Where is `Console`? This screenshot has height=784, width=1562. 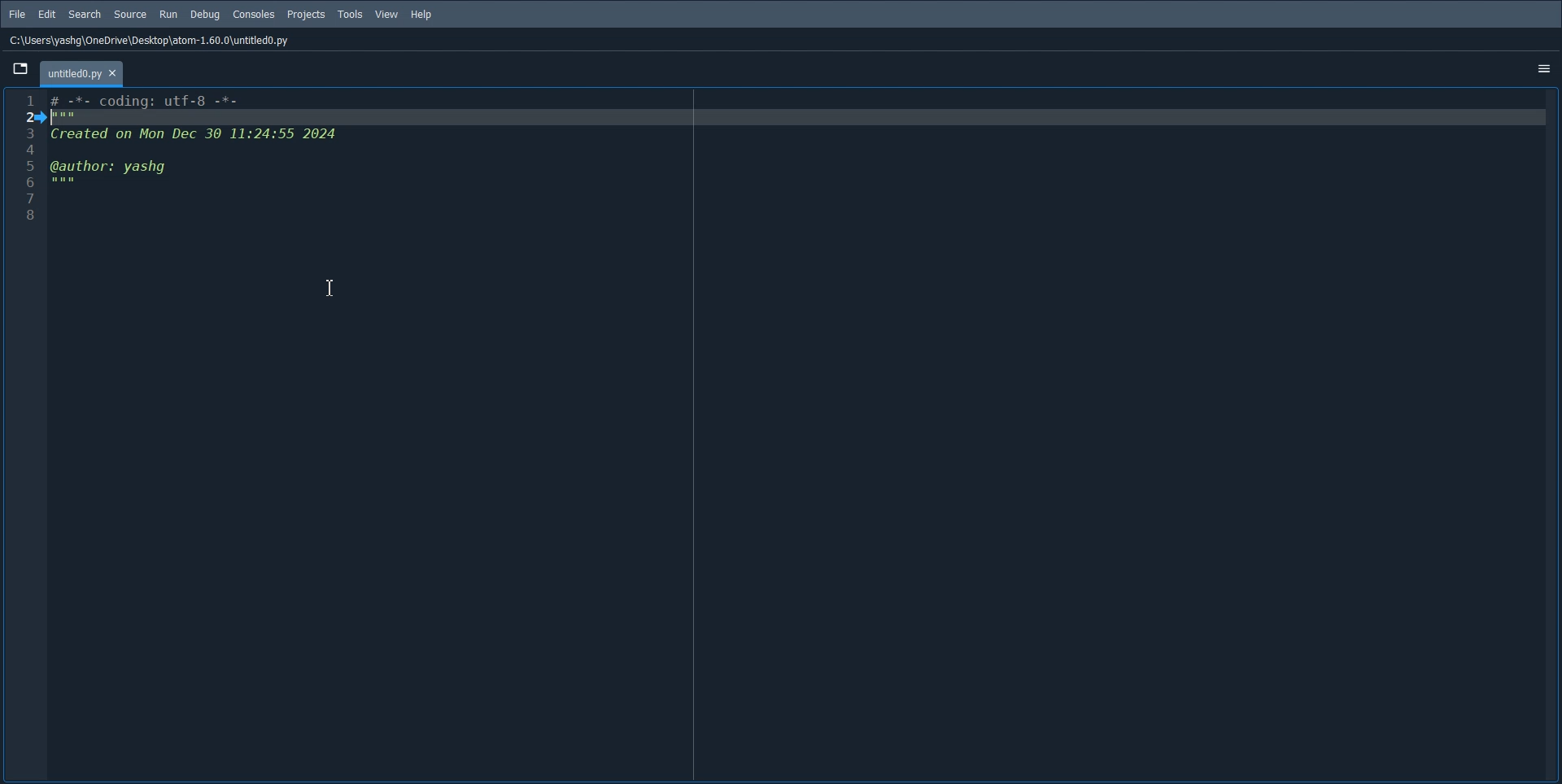 Console is located at coordinates (253, 15).